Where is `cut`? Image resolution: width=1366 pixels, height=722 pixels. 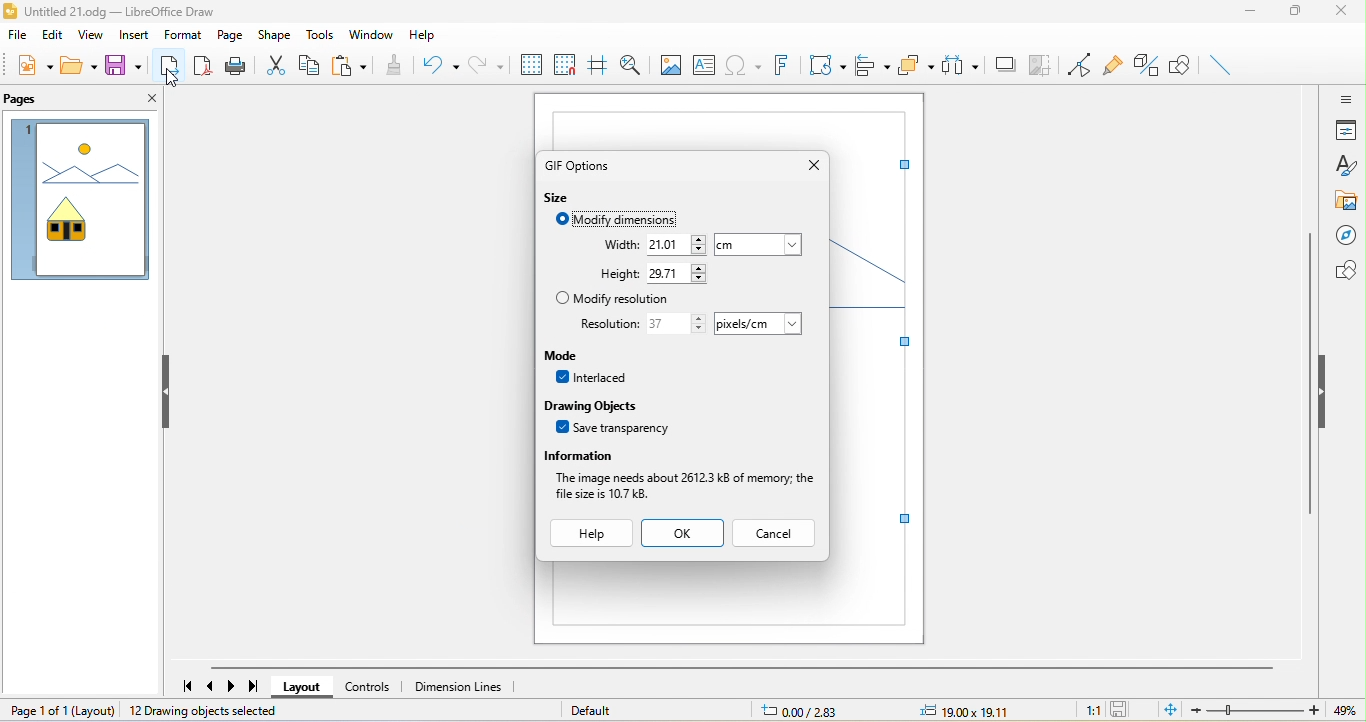
cut is located at coordinates (275, 63).